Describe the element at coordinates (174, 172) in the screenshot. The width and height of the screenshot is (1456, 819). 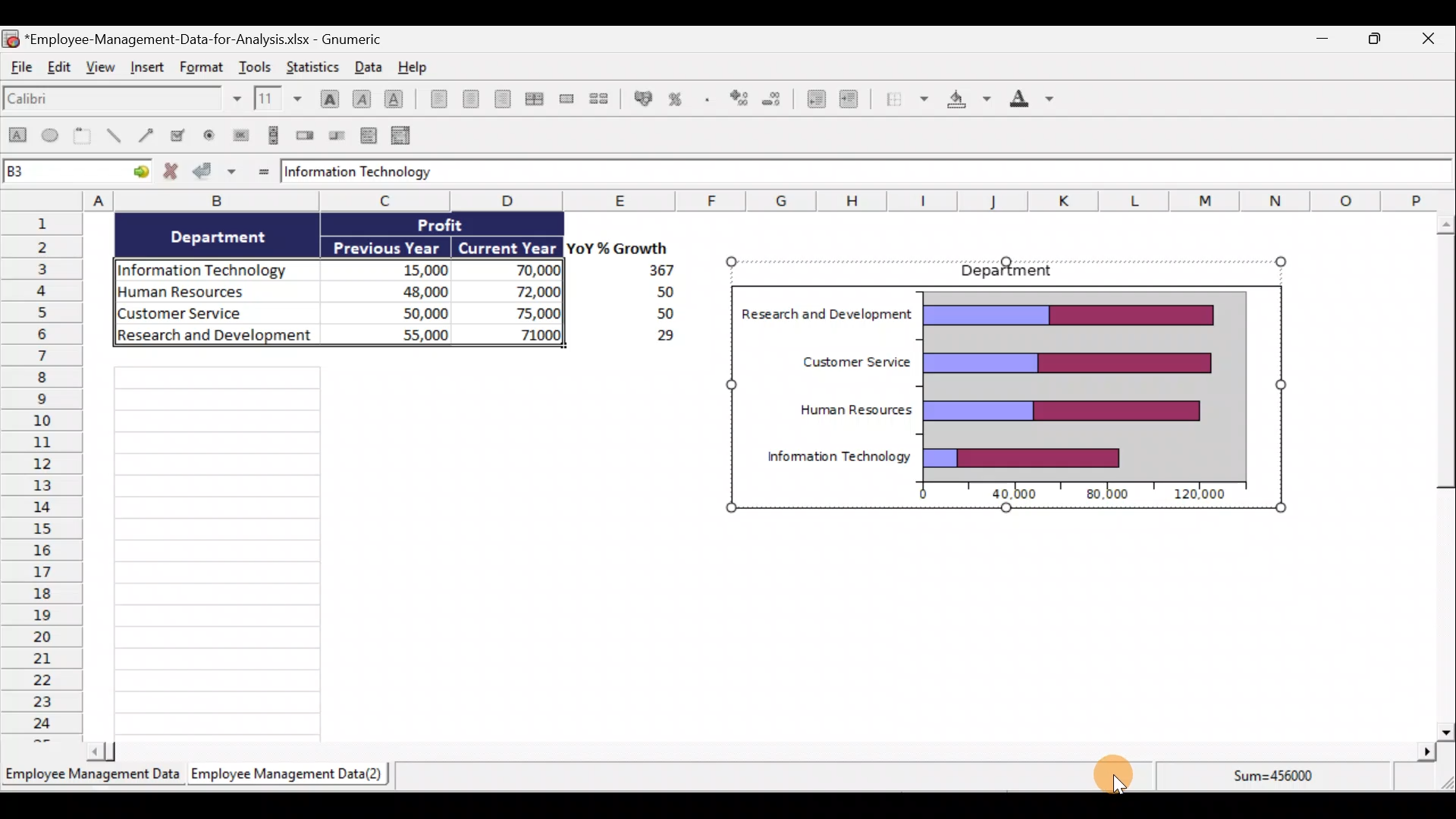
I see `Cancel change` at that location.